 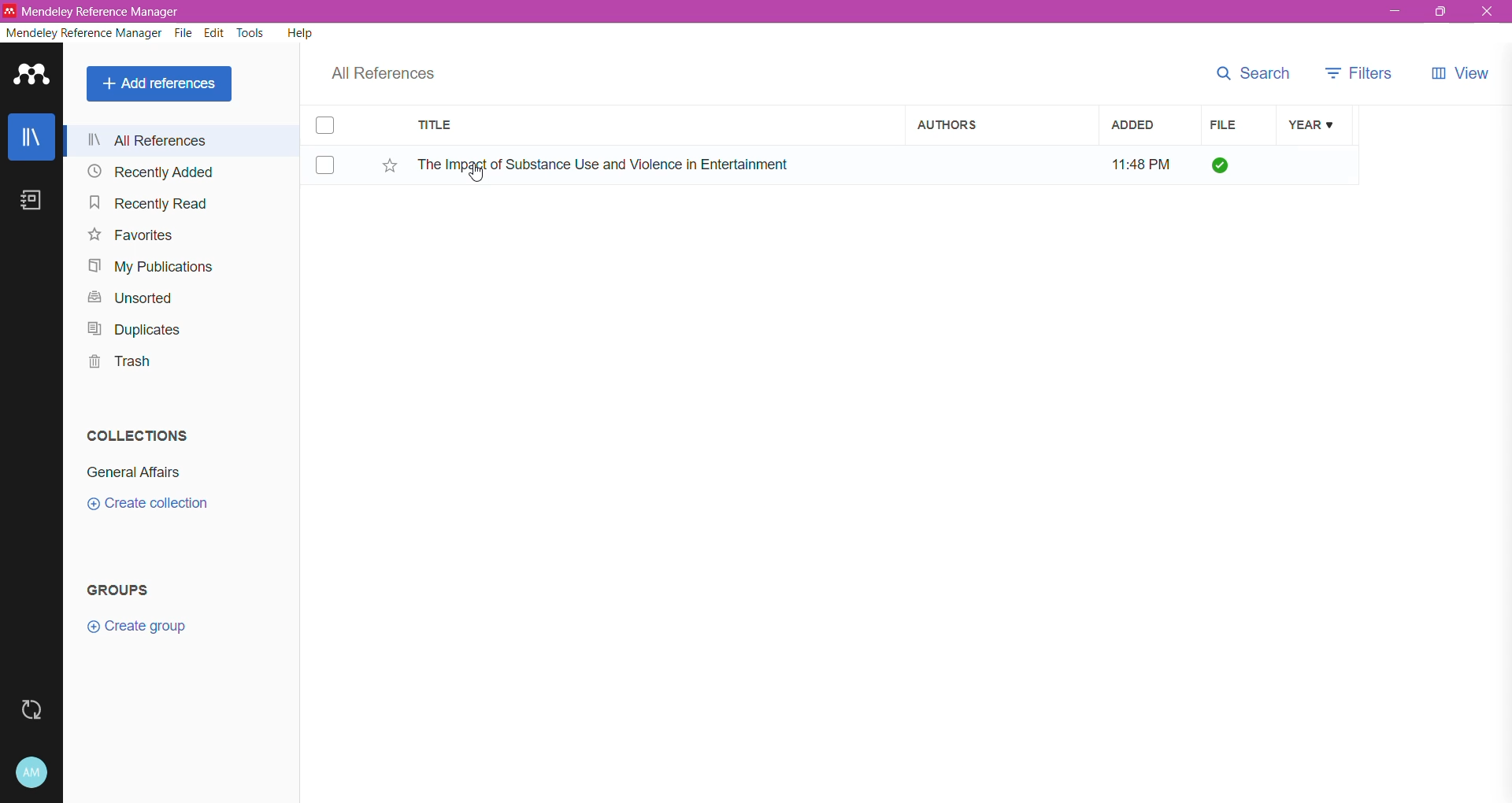 I want to click on Recently Read, so click(x=145, y=202).